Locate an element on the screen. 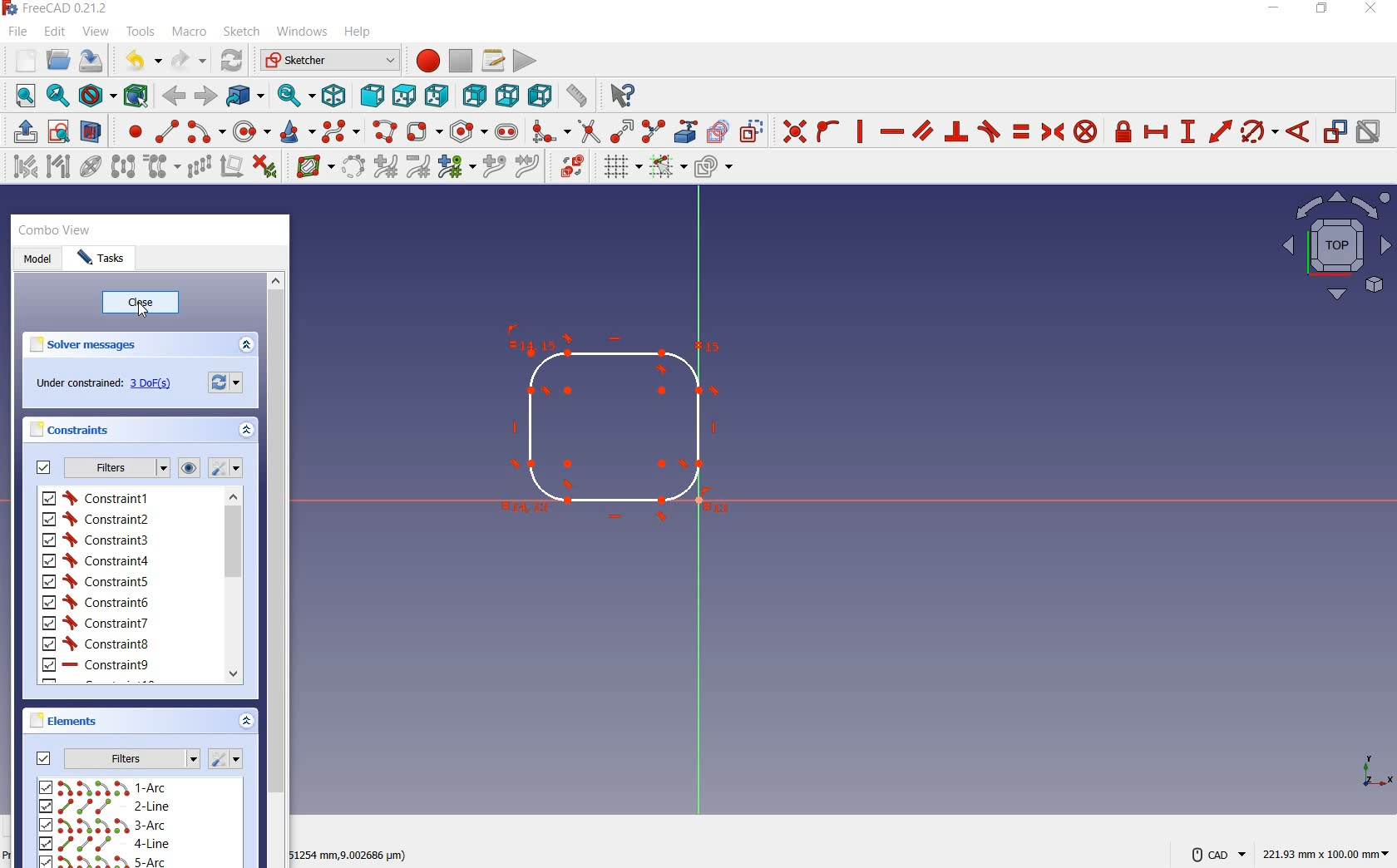  toggle grid is located at coordinates (620, 168).